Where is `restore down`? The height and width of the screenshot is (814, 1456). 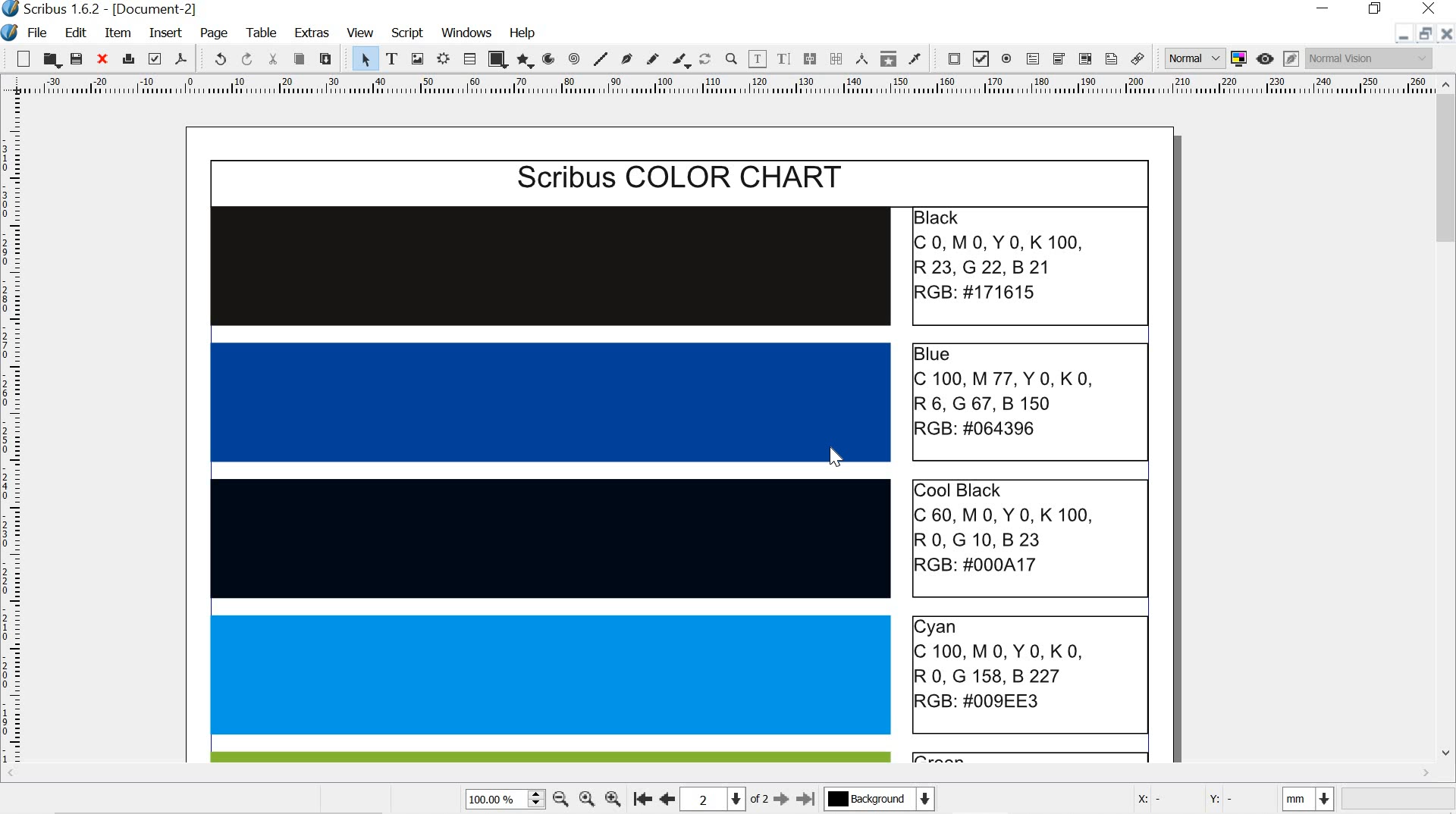 restore down is located at coordinates (1427, 33).